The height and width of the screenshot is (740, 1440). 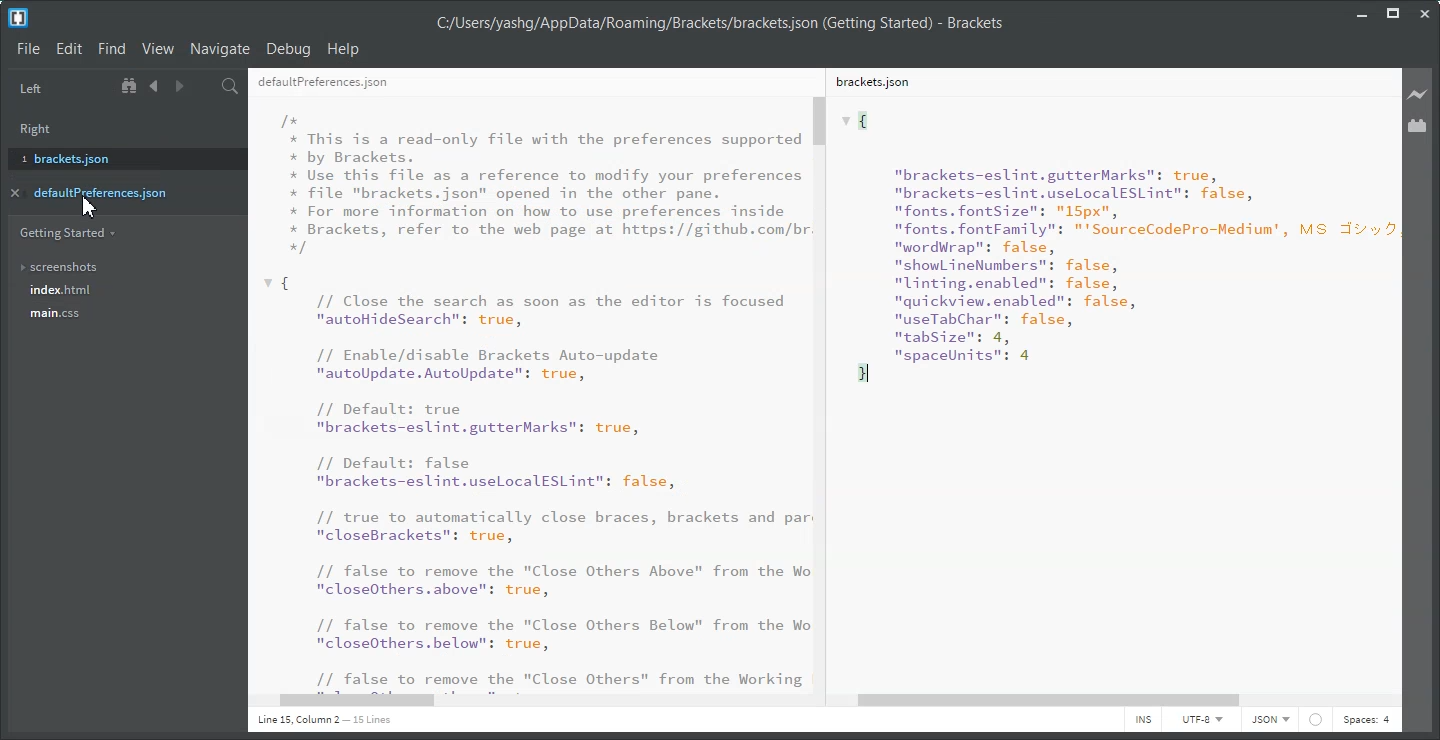 What do you see at coordinates (177, 87) in the screenshot?
I see `Navigate Forward` at bounding box center [177, 87].